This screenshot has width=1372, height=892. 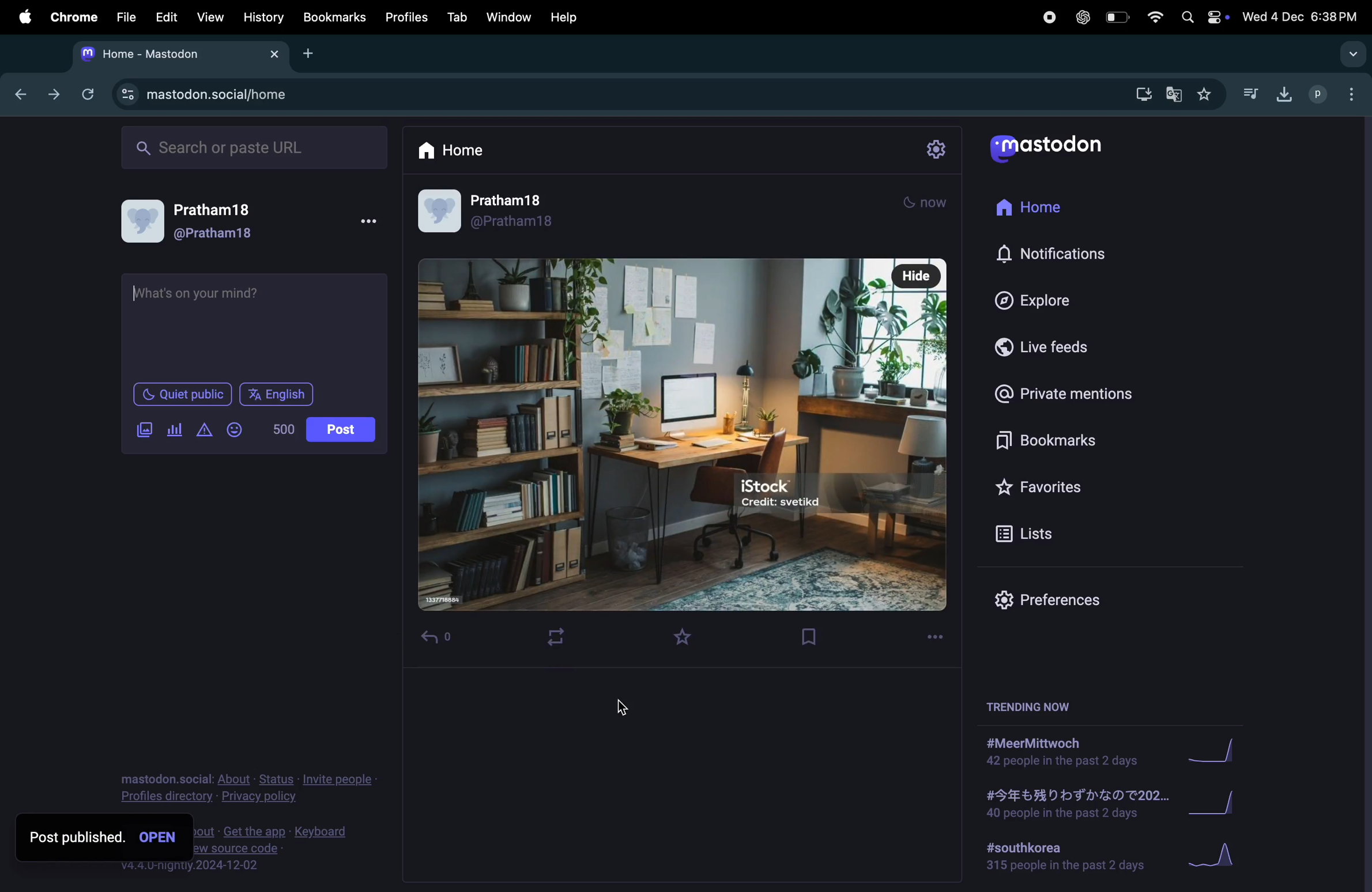 I want to click on tet box, so click(x=254, y=327).